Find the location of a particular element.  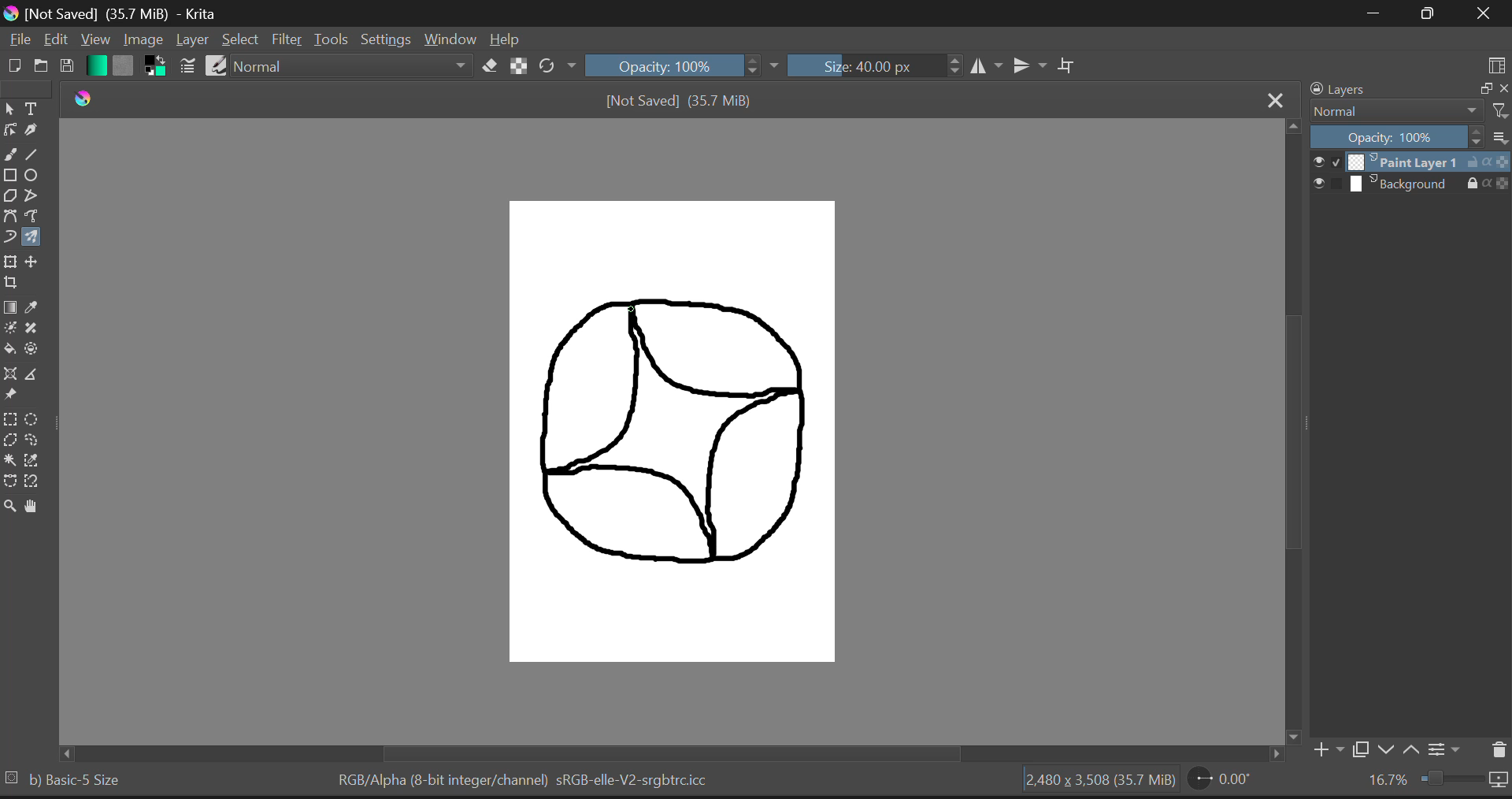

Background is located at coordinates (1410, 185).